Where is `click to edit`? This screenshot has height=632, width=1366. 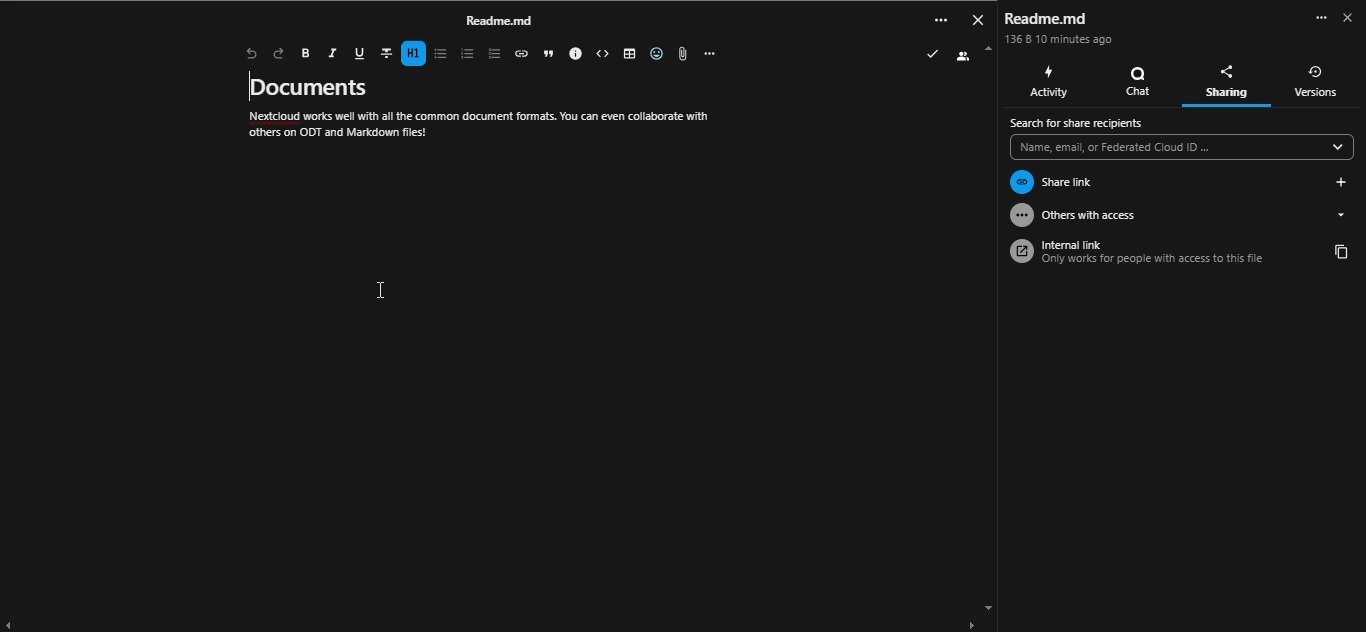 click to edit is located at coordinates (380, 289).